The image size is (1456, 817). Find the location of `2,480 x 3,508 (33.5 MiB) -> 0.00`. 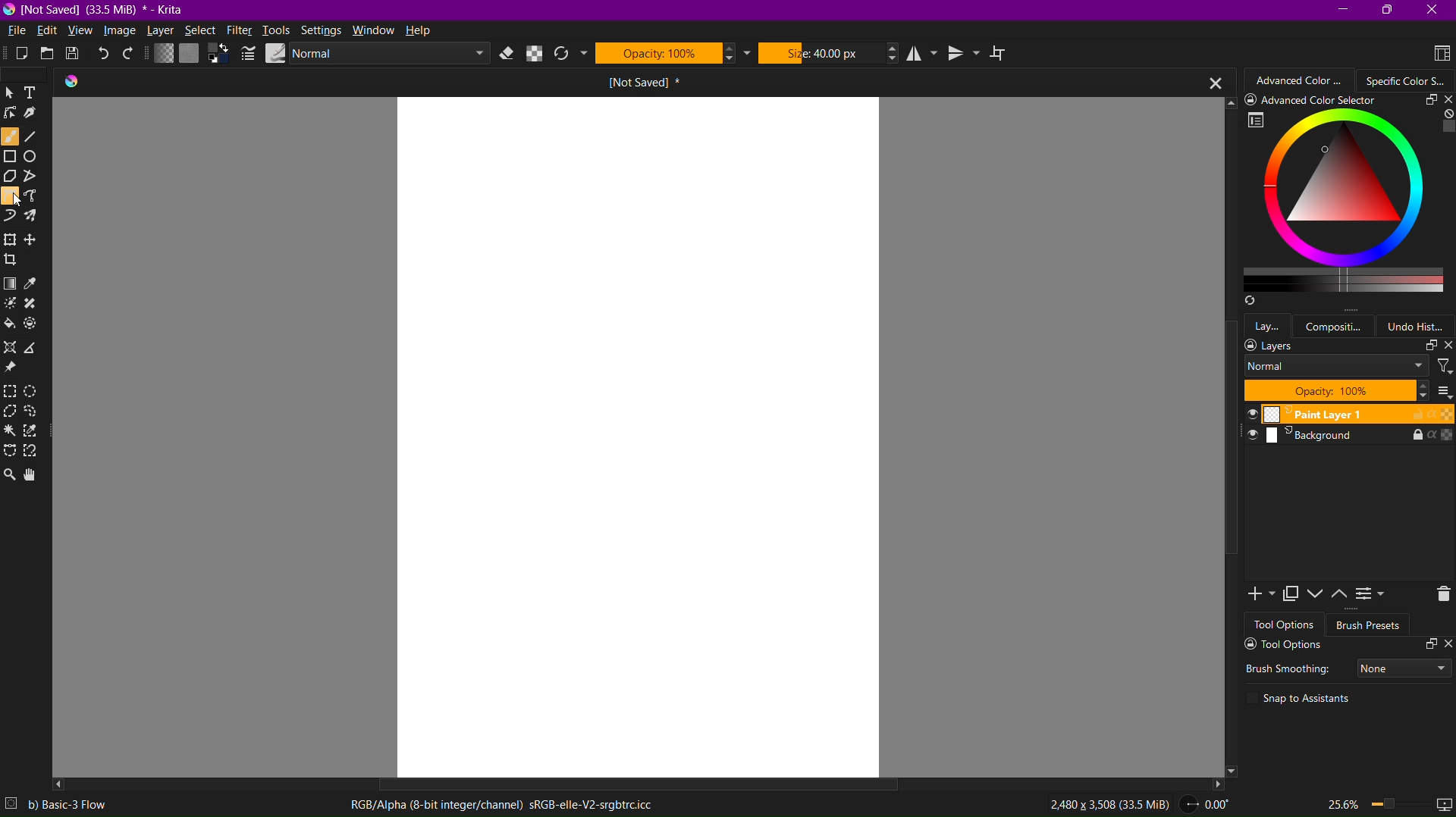

2,480 x 3,508 (33.5 MiB) -> 0.00 is located at coordinates (1133, 806).